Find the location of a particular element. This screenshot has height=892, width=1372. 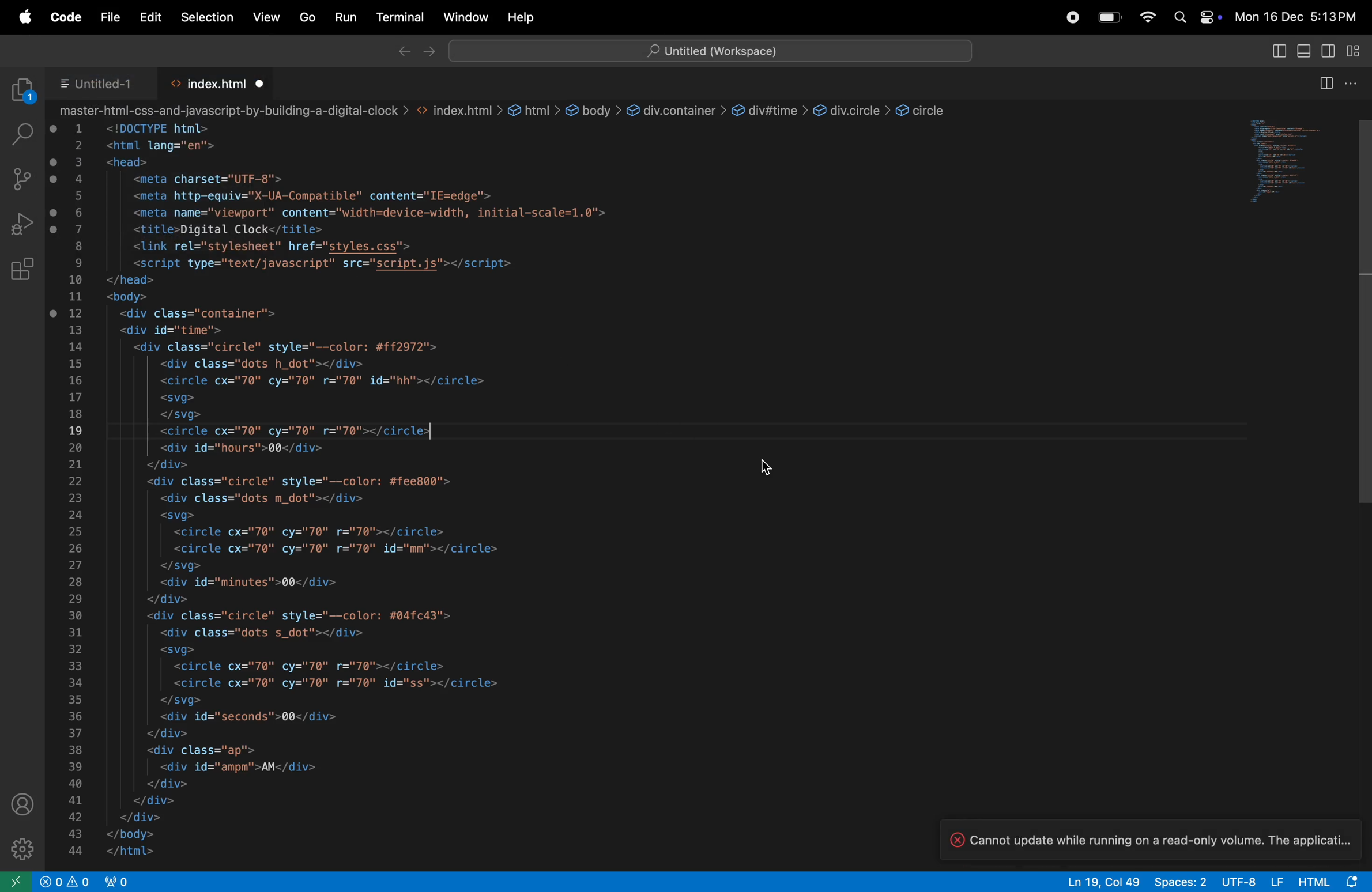

<div id="time"> is located at coordinates (176, 329).